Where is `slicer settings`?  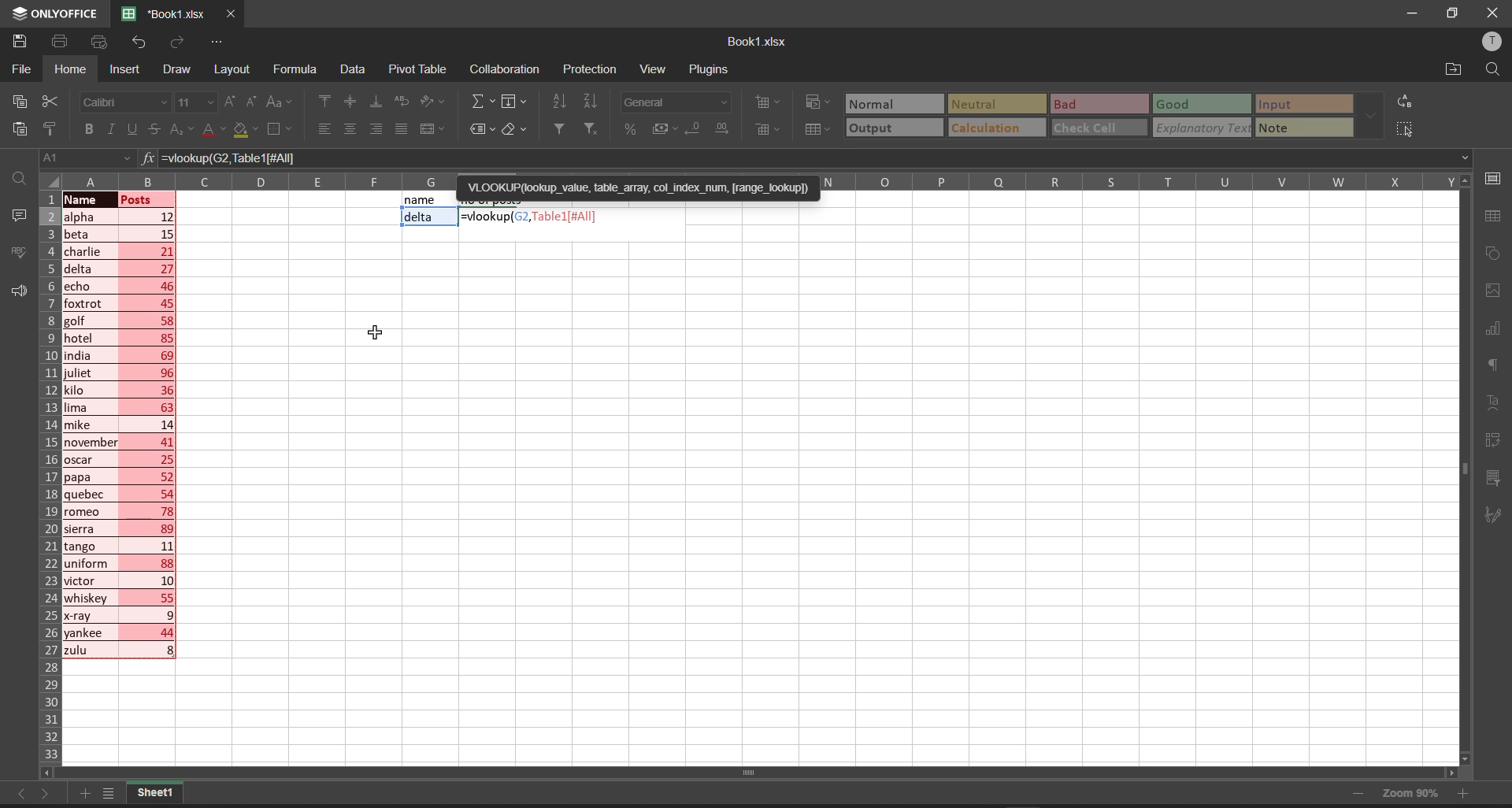
slicer settings is located at coordinates (1501, 474).